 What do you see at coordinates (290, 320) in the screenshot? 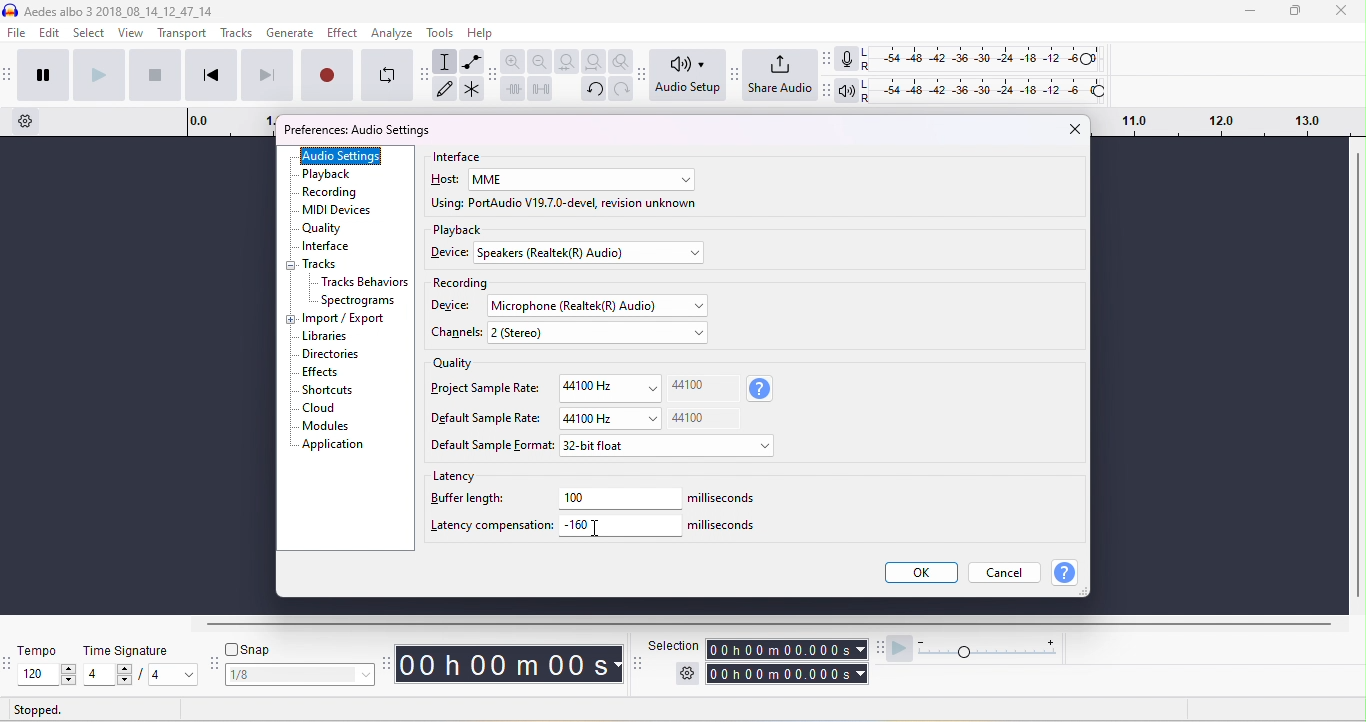
I see `expand` at bounding box center [290, 320].